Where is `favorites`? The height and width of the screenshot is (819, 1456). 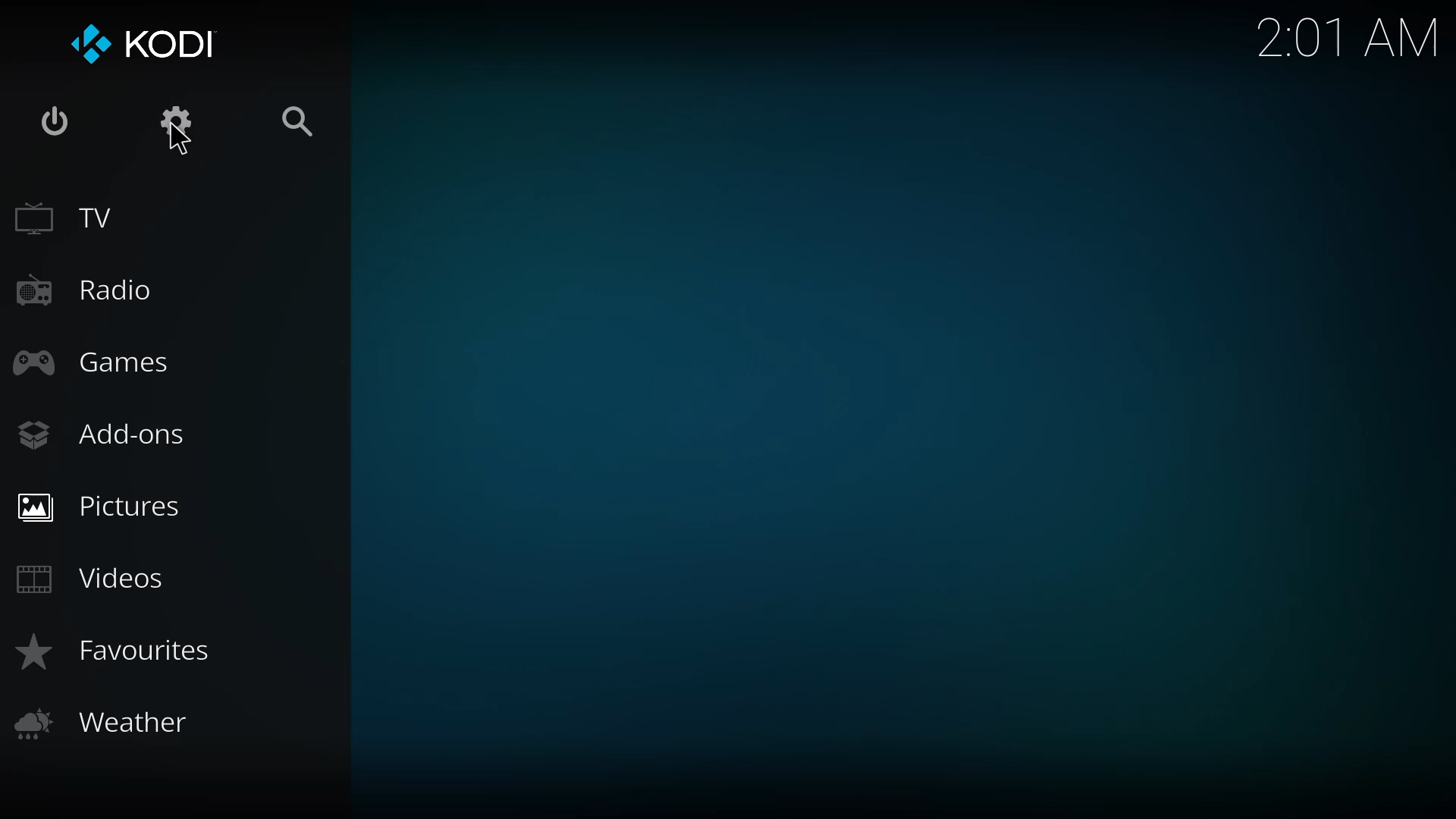 favorites is located at coordinates (119, 651).